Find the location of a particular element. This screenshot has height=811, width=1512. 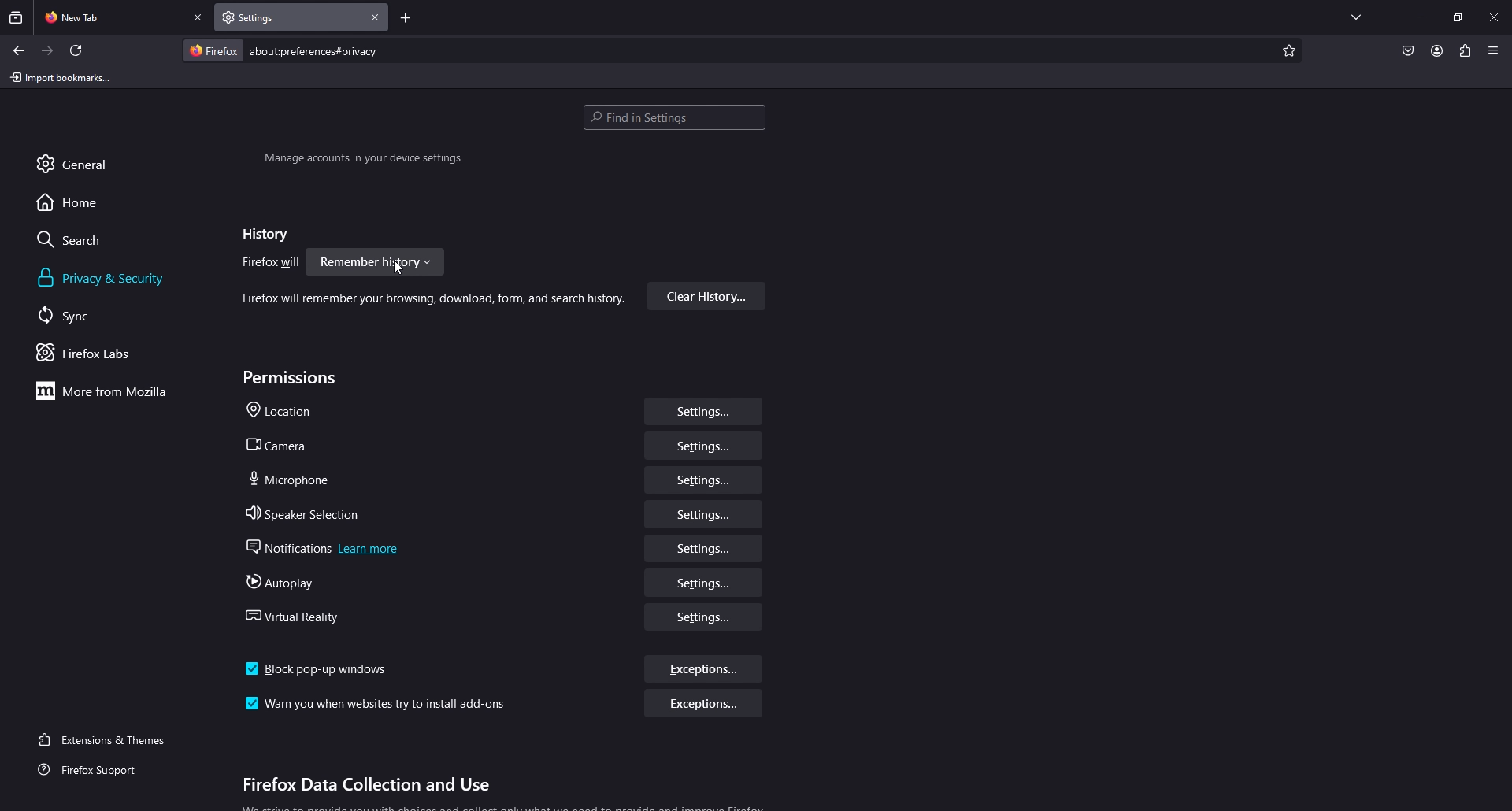

settings is located at coordinates (703, 411).